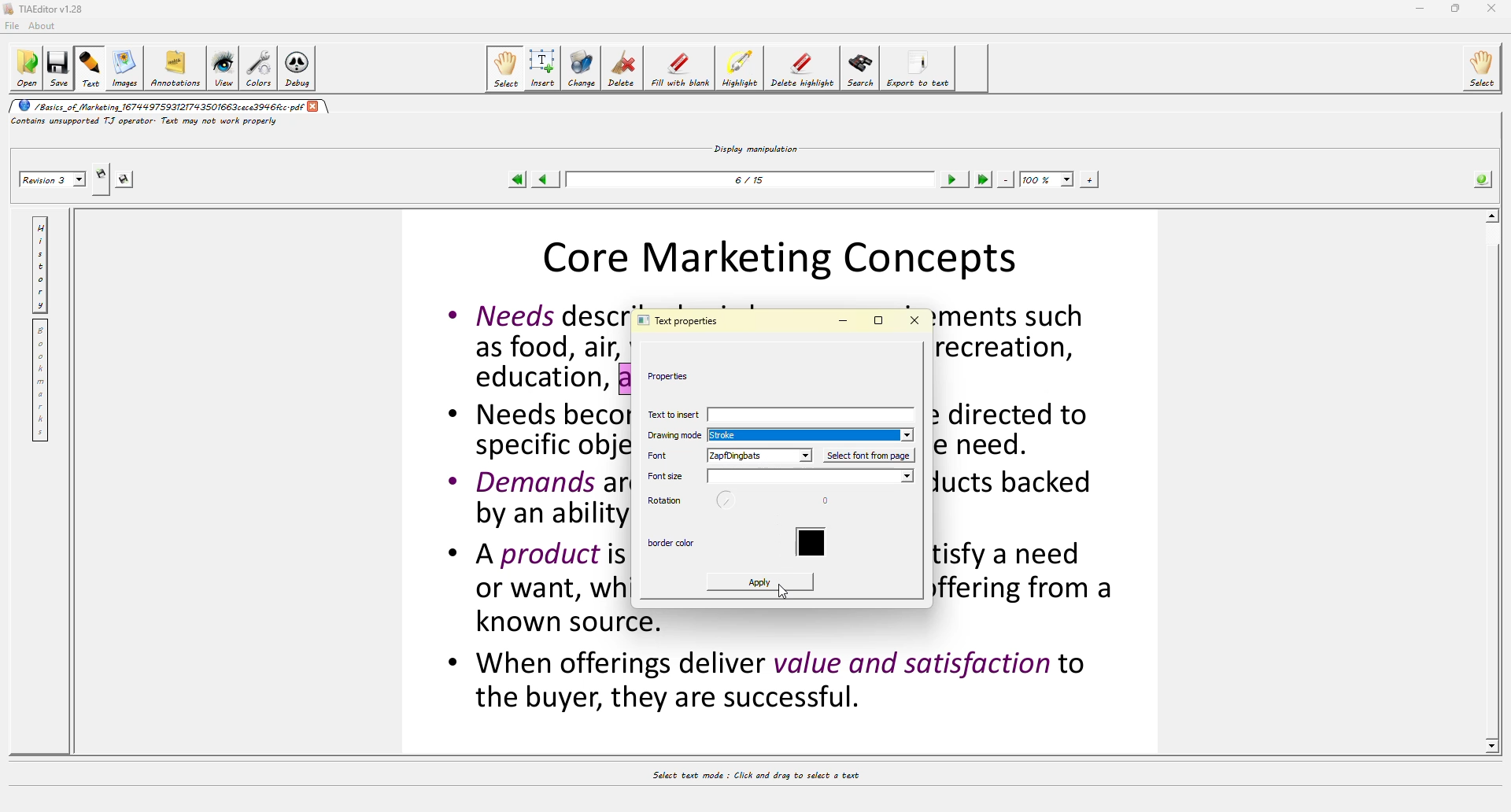 The image size is (1511, 812). What do you see at coordinates (880, 319) in the screenshot?
I see `maximize` at bounding box center [880, 319].